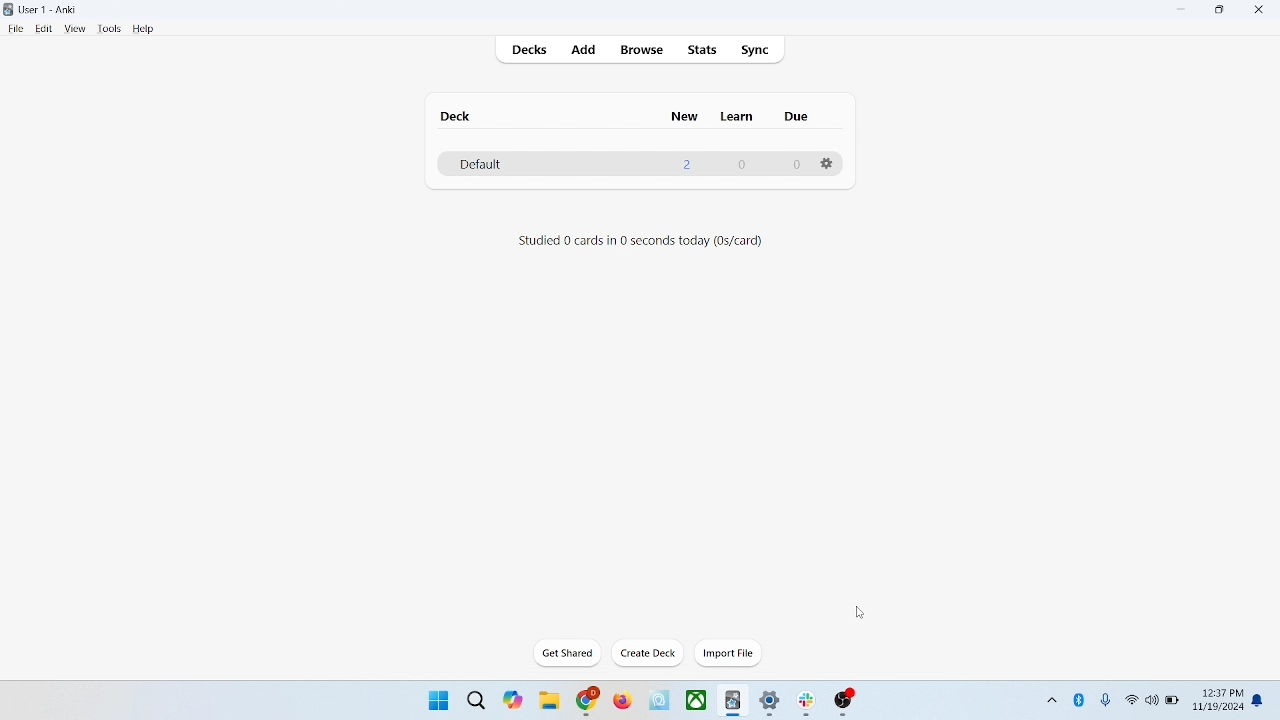  I want to click on microphone, so click(1107, 701).